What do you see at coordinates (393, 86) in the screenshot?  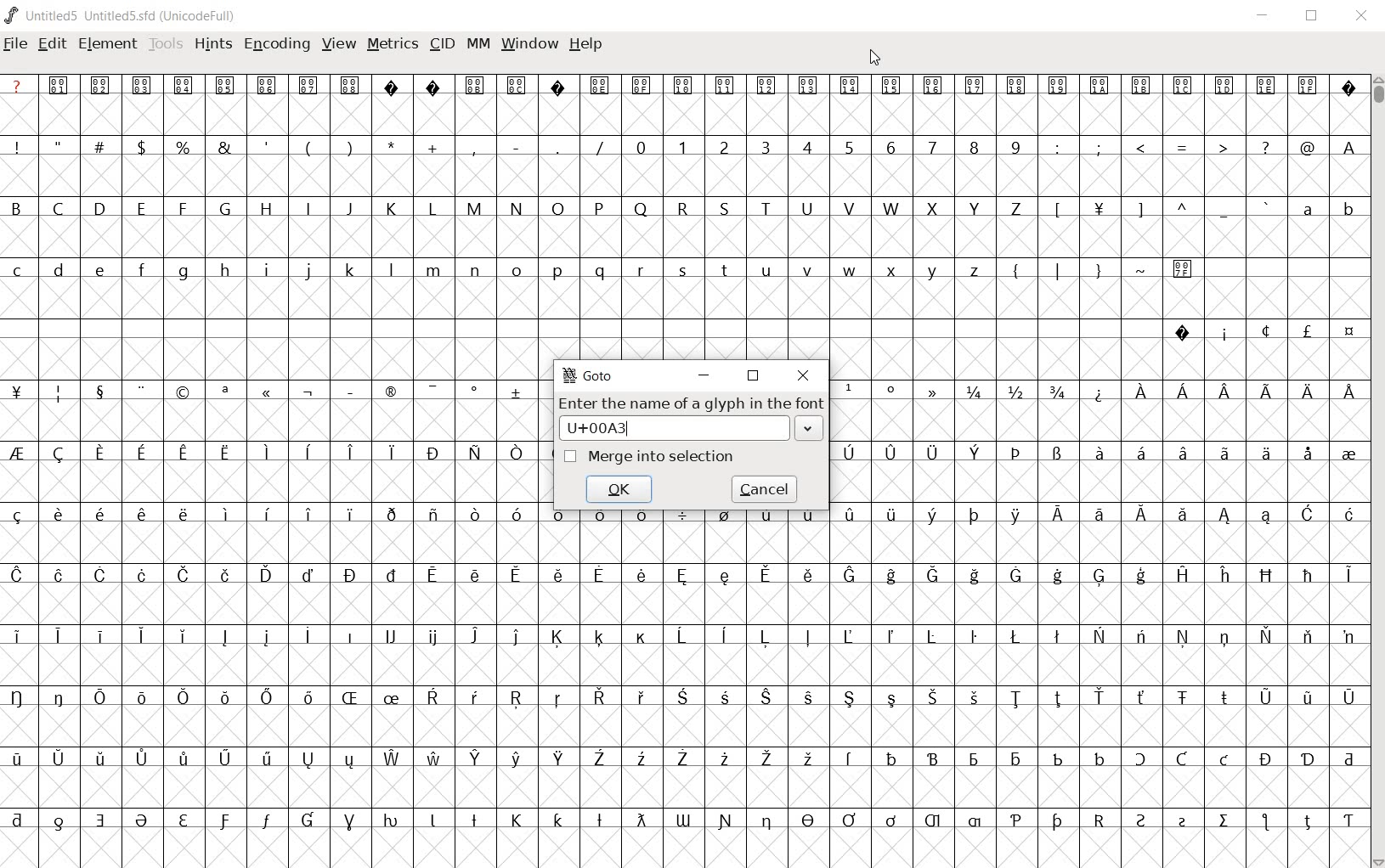 I see `Symbol` at bounding box center [393, 86].